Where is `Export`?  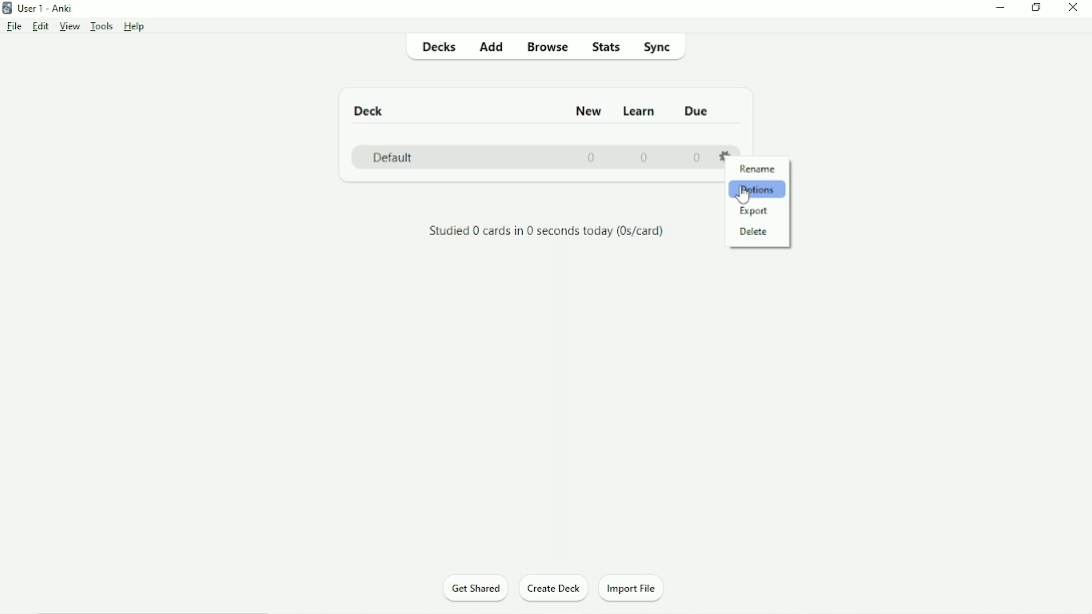
Export is located at coordinates (756, 211).